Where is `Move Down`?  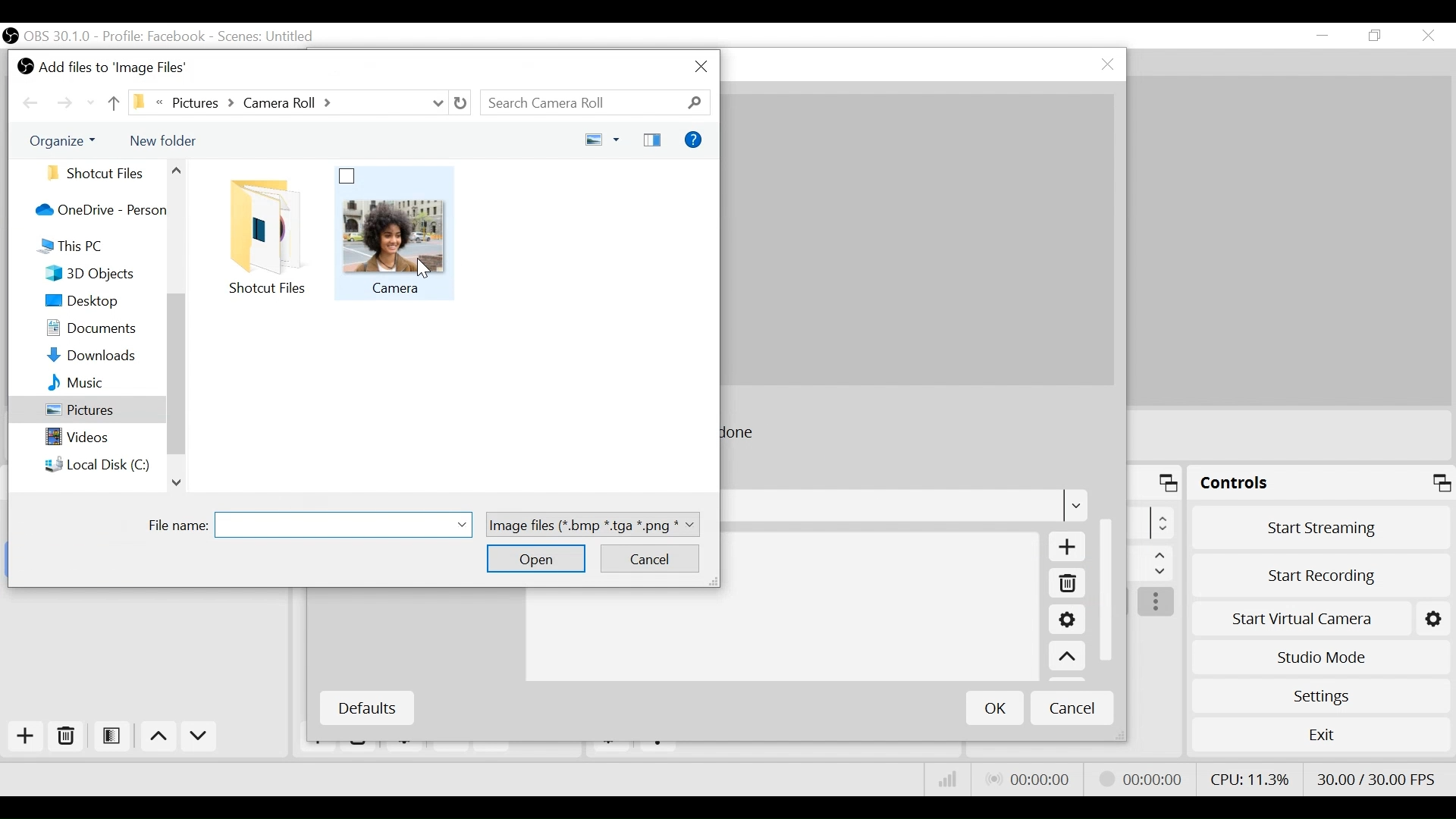
Move Down is located at coordinates (199, 739).